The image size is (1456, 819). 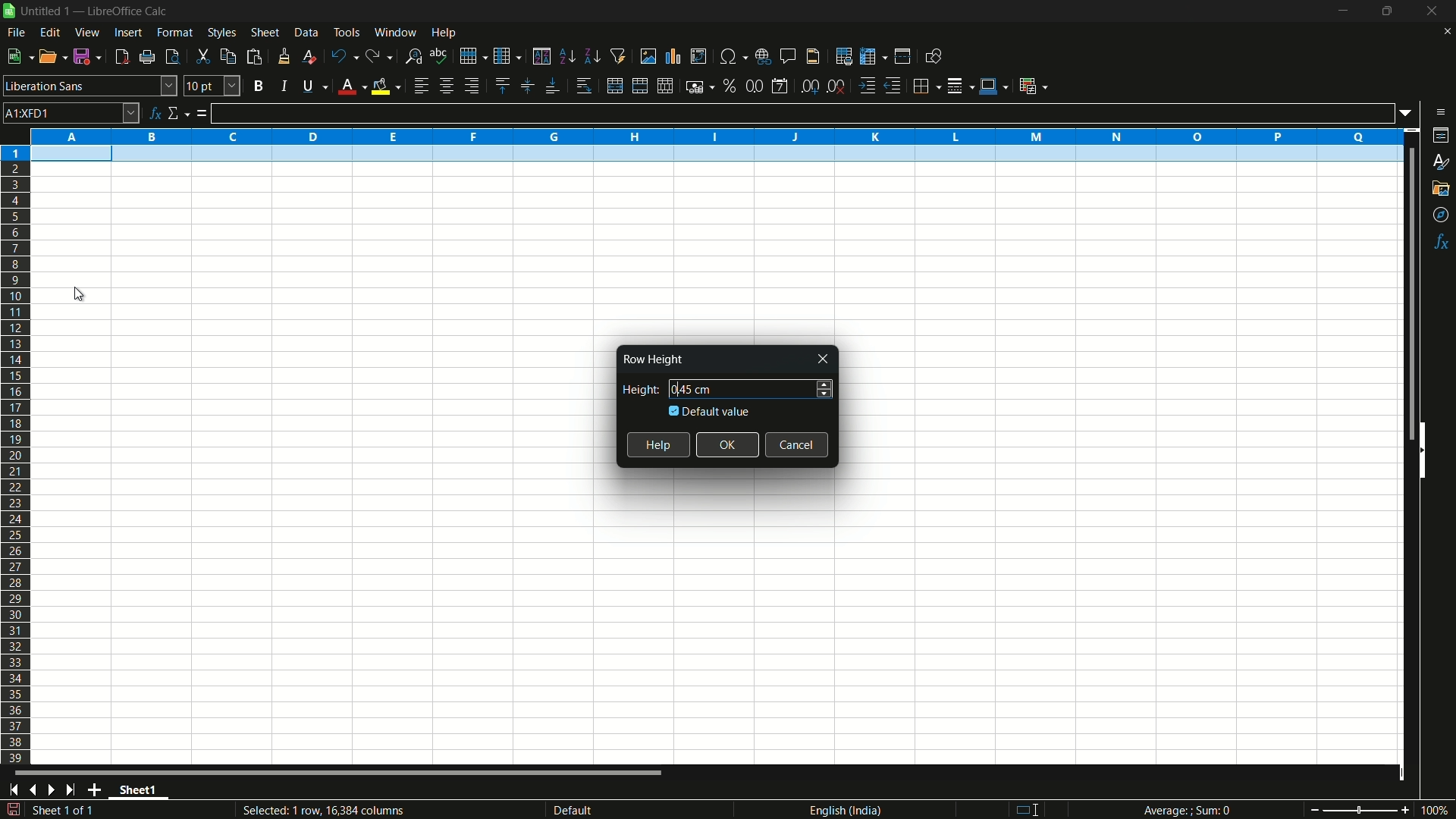 What do you see at coordinates (143, 792) in the screenshot?
I see `sheet name` at bounding box center [143, 792].